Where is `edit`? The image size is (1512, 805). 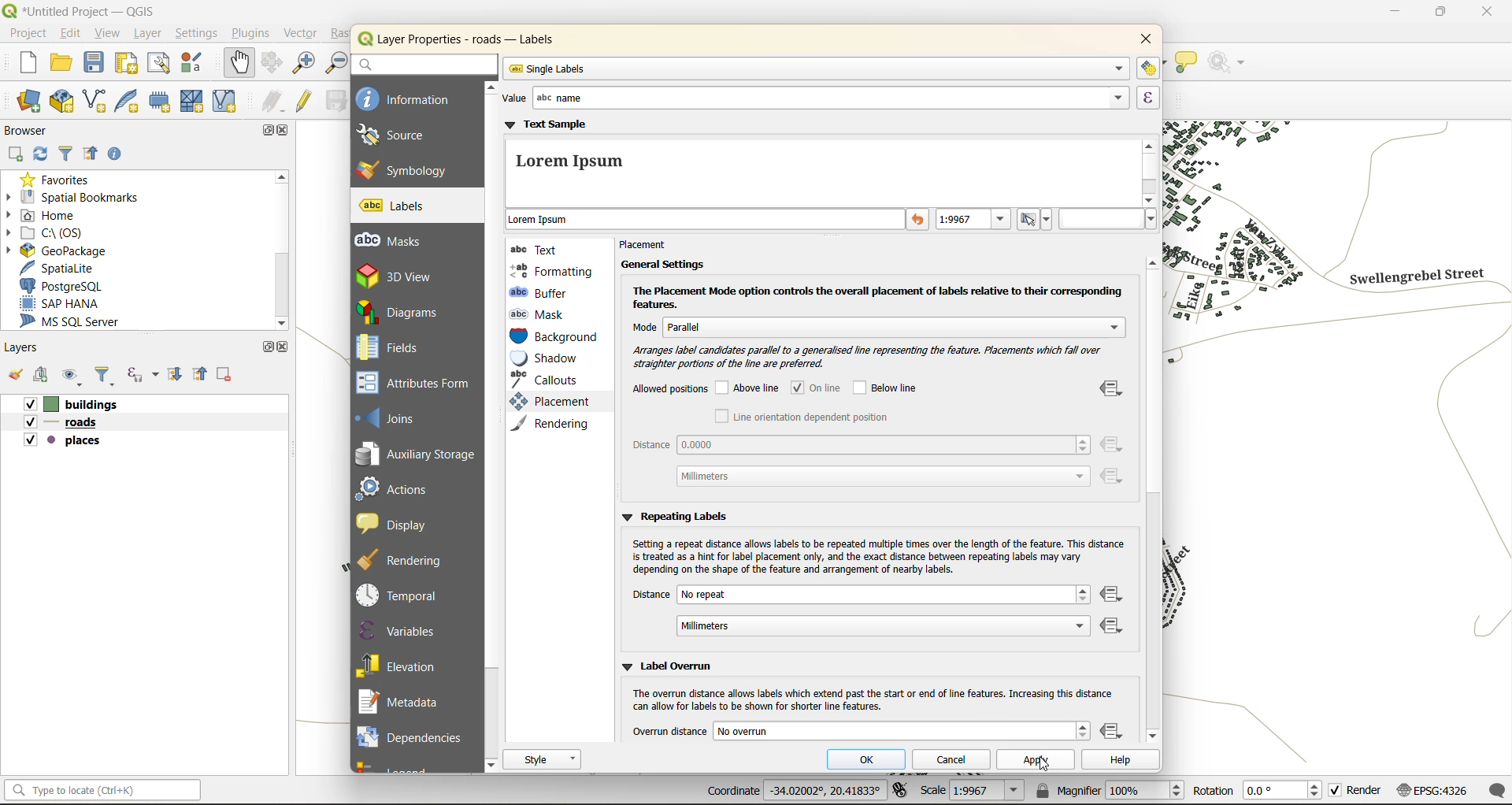
edit is located at coordinates (72, 35).